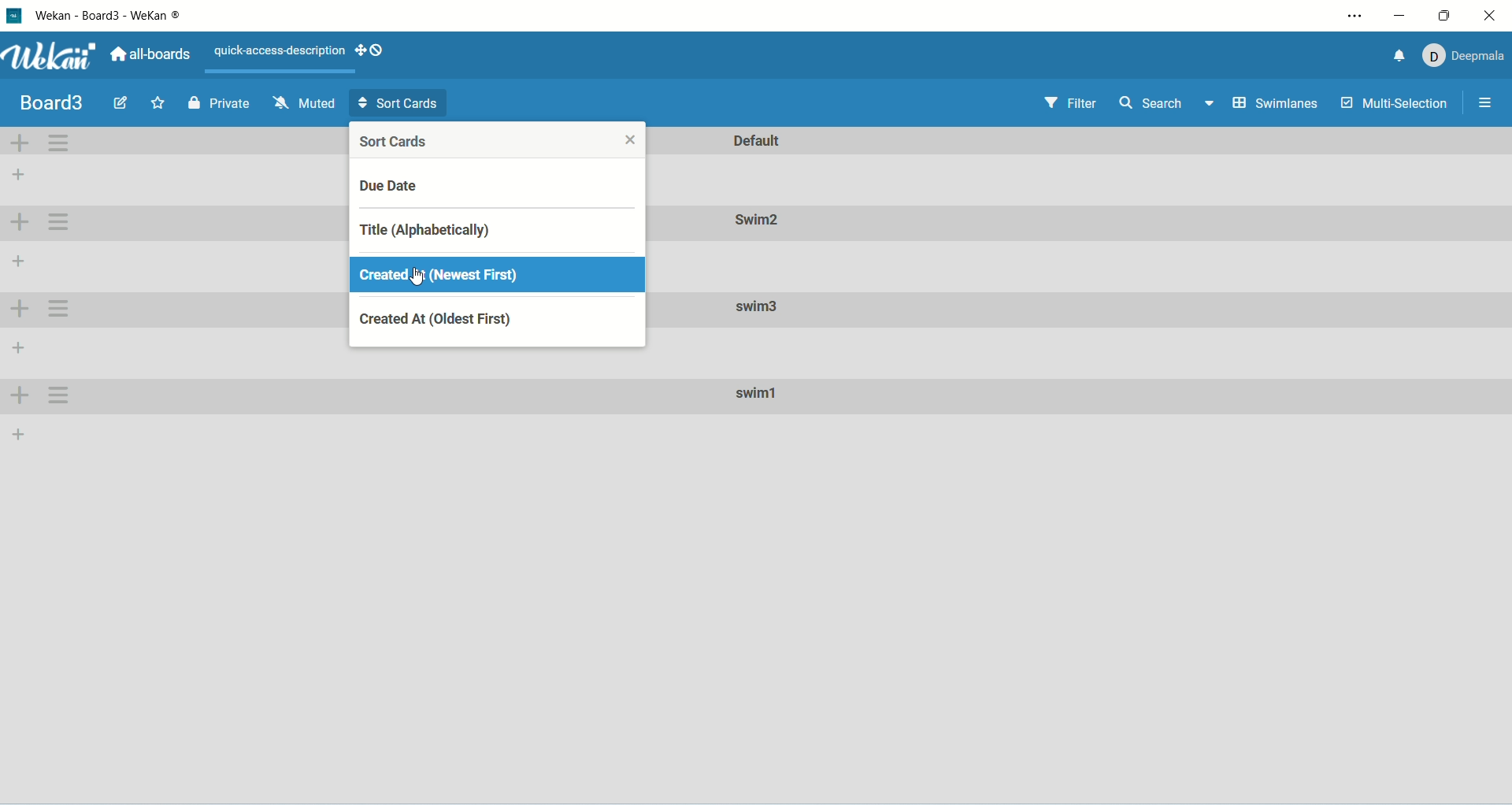 This screenshot has width=1512, height=805. What do you see at coordinates (50, 58) in the screenshot?
I see `wekan` at bounding box center [50, 58].